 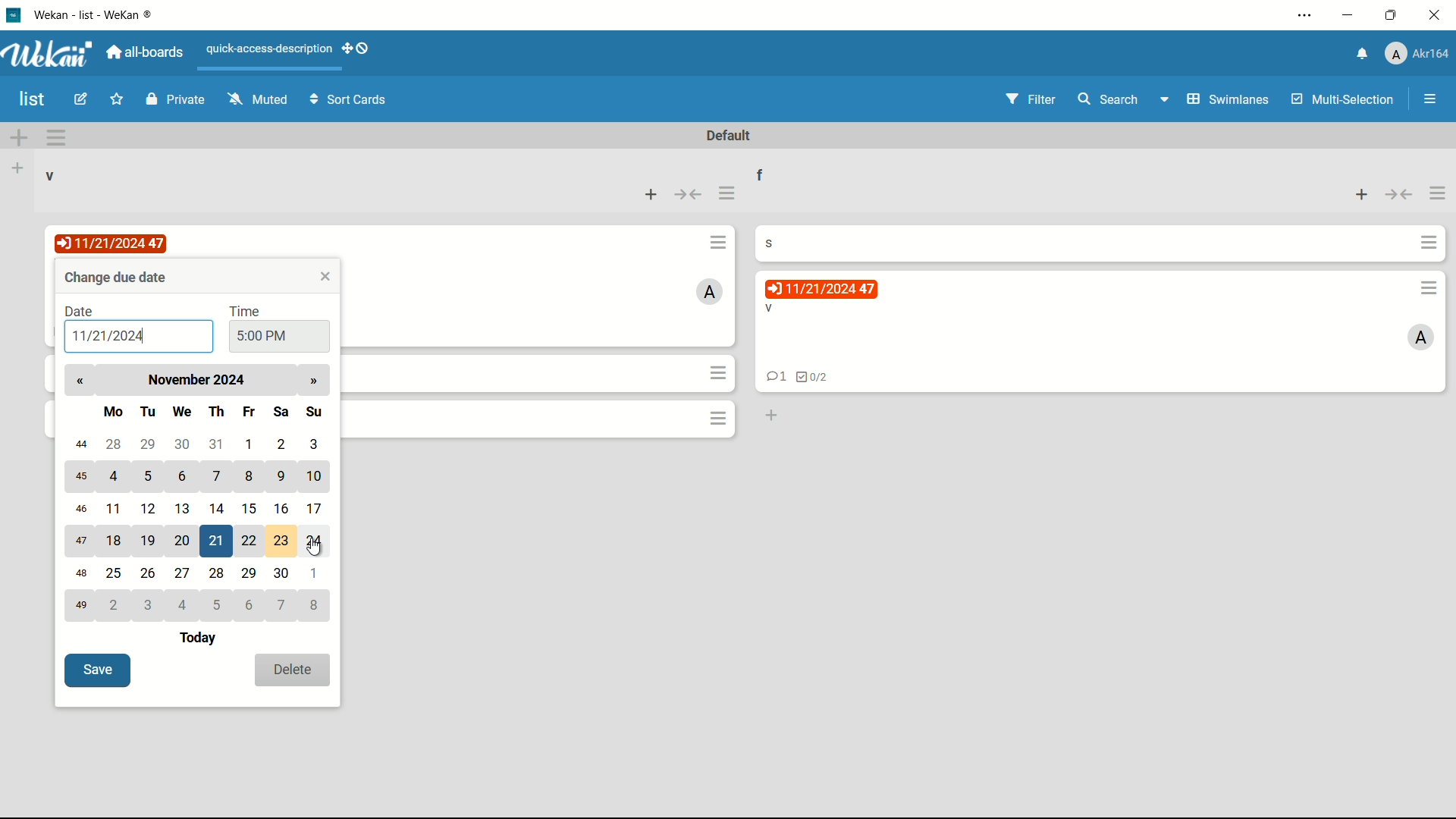 I want to click on close app, so click(x=1435, y=15).